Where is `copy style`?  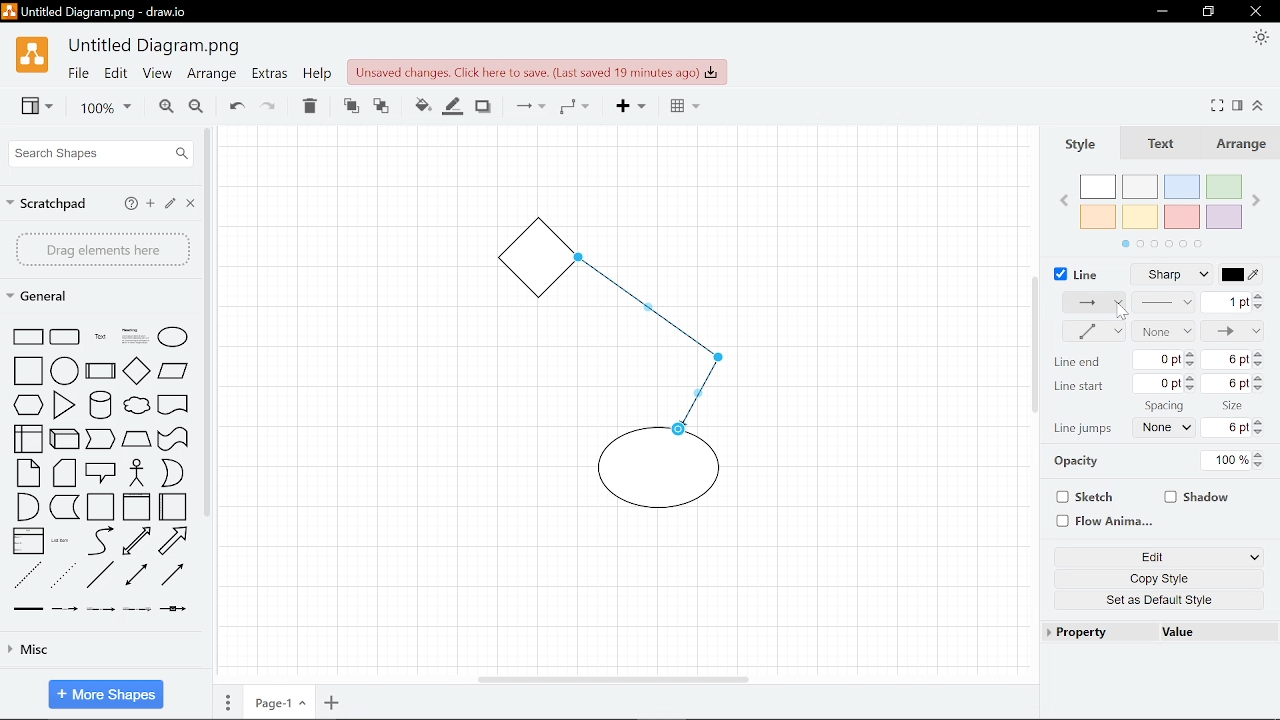
copy style is located at coordinates (1154, 581).